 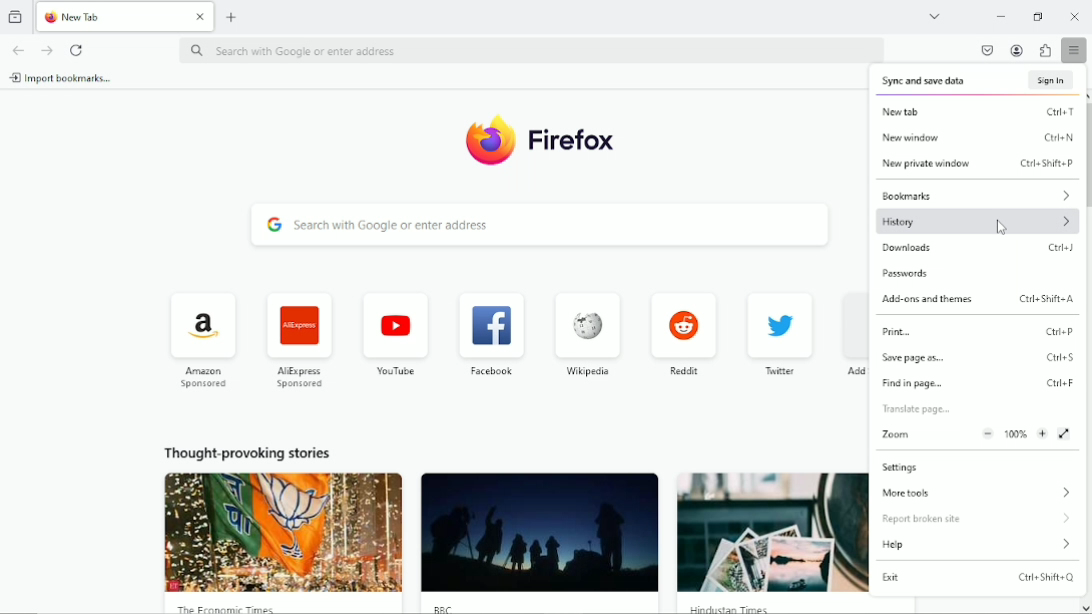 I want to click on Help >, so click(x=981, y=544).